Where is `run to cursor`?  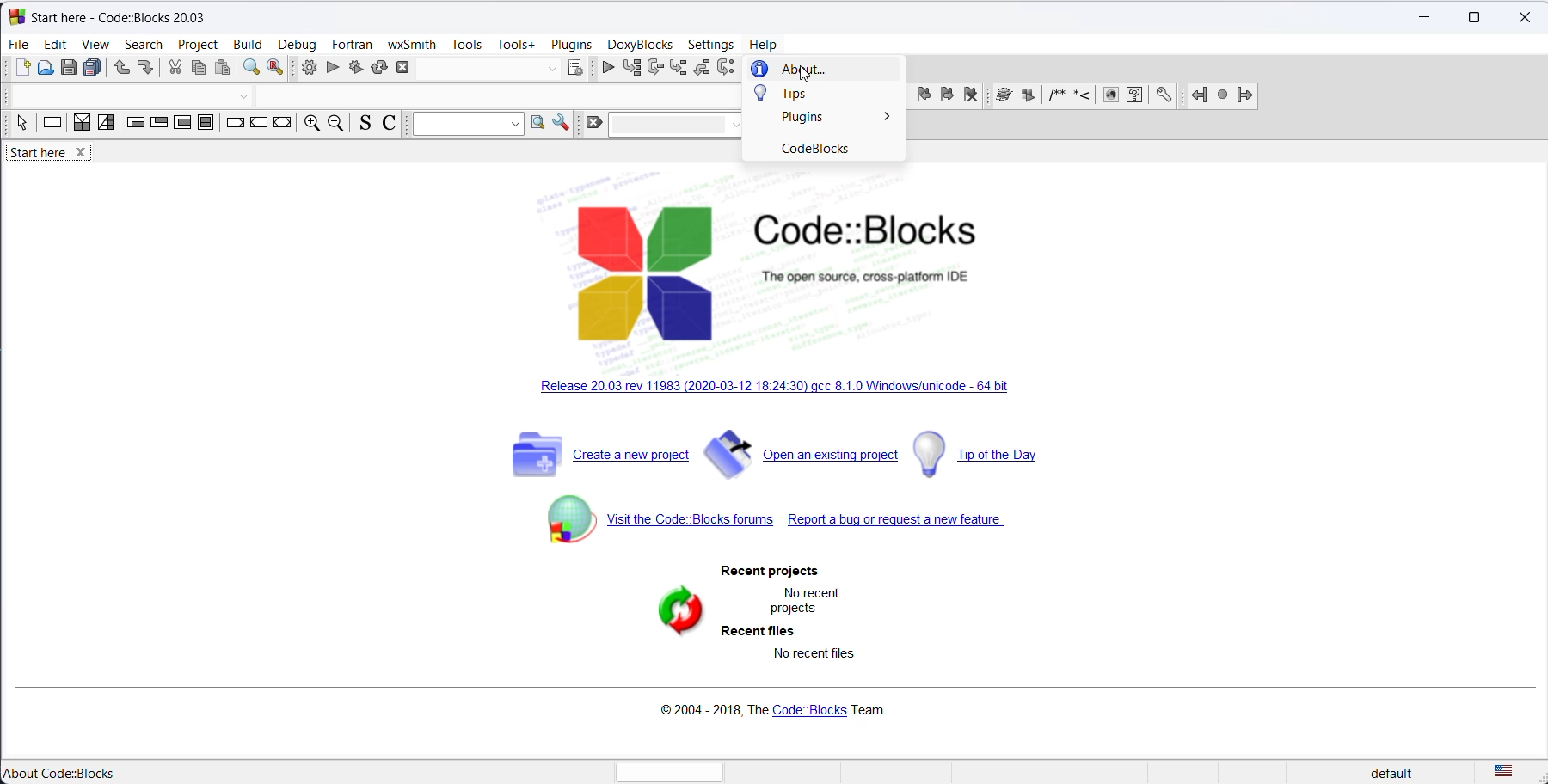
run to cursor is located at coordinates (654, 68).